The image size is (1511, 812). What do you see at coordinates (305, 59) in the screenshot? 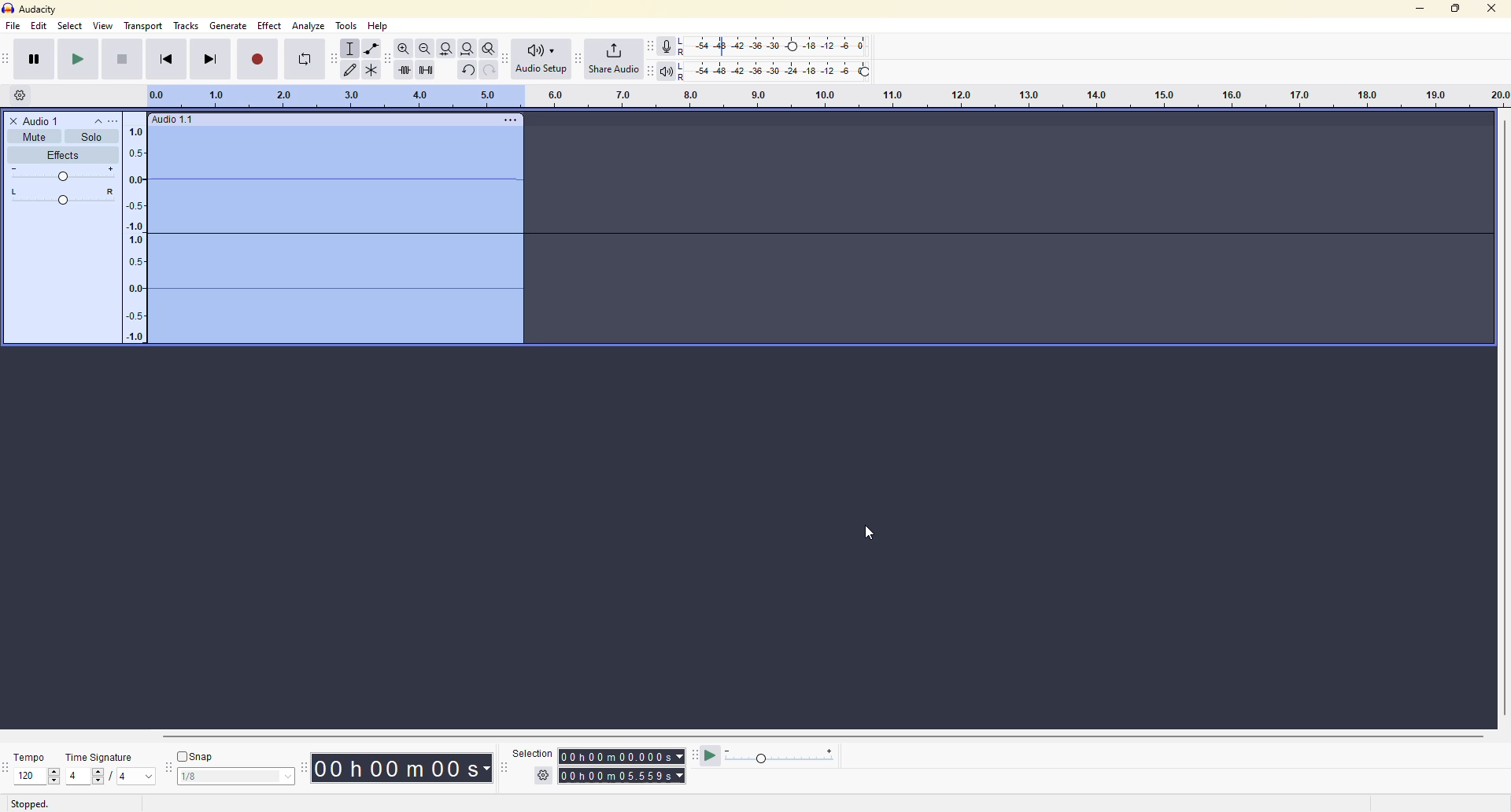
I see `enable looping` at bounding box center [305, 59].